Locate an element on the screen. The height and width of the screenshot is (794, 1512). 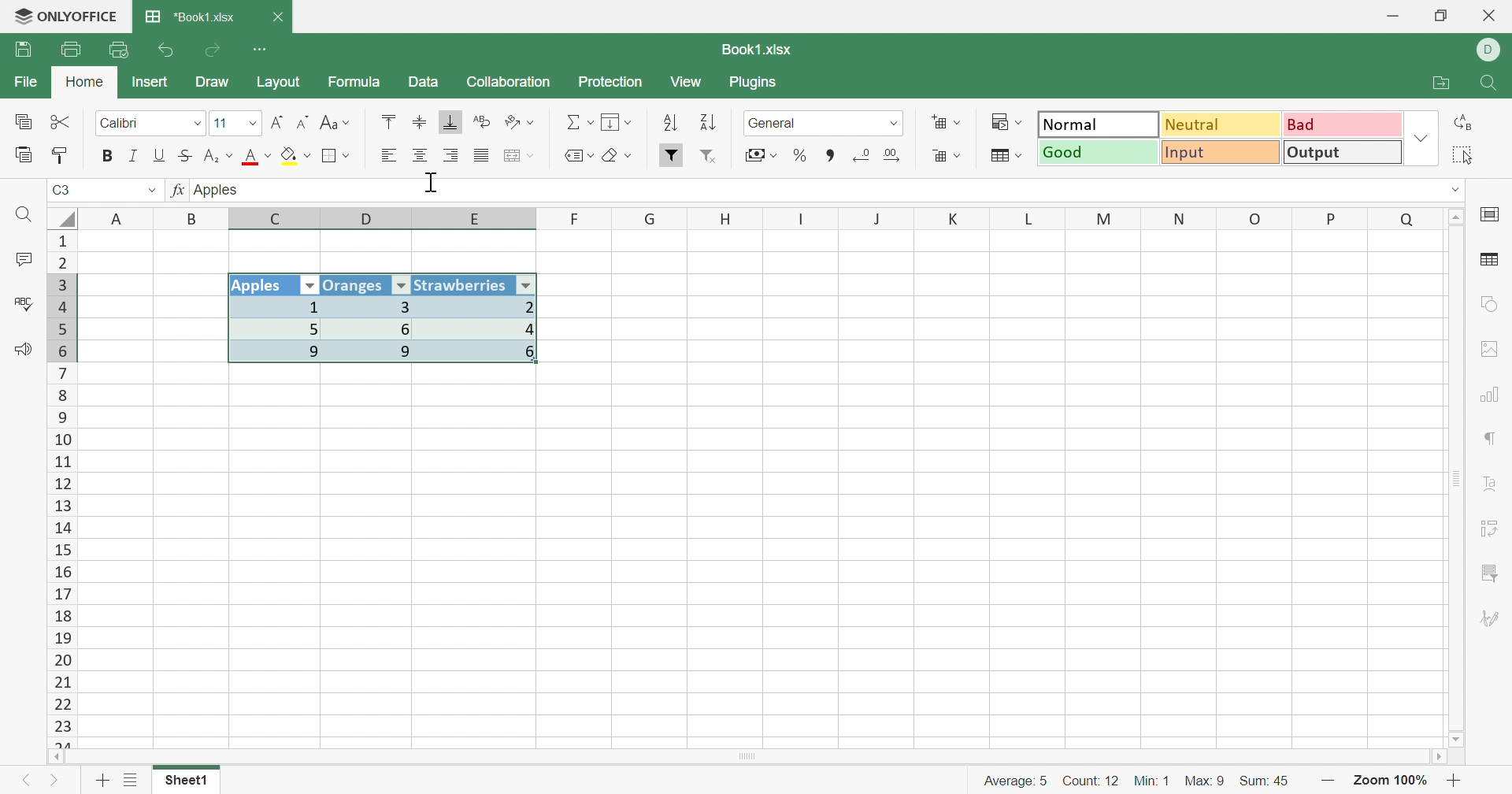
B is located at coordinates (195, 218).